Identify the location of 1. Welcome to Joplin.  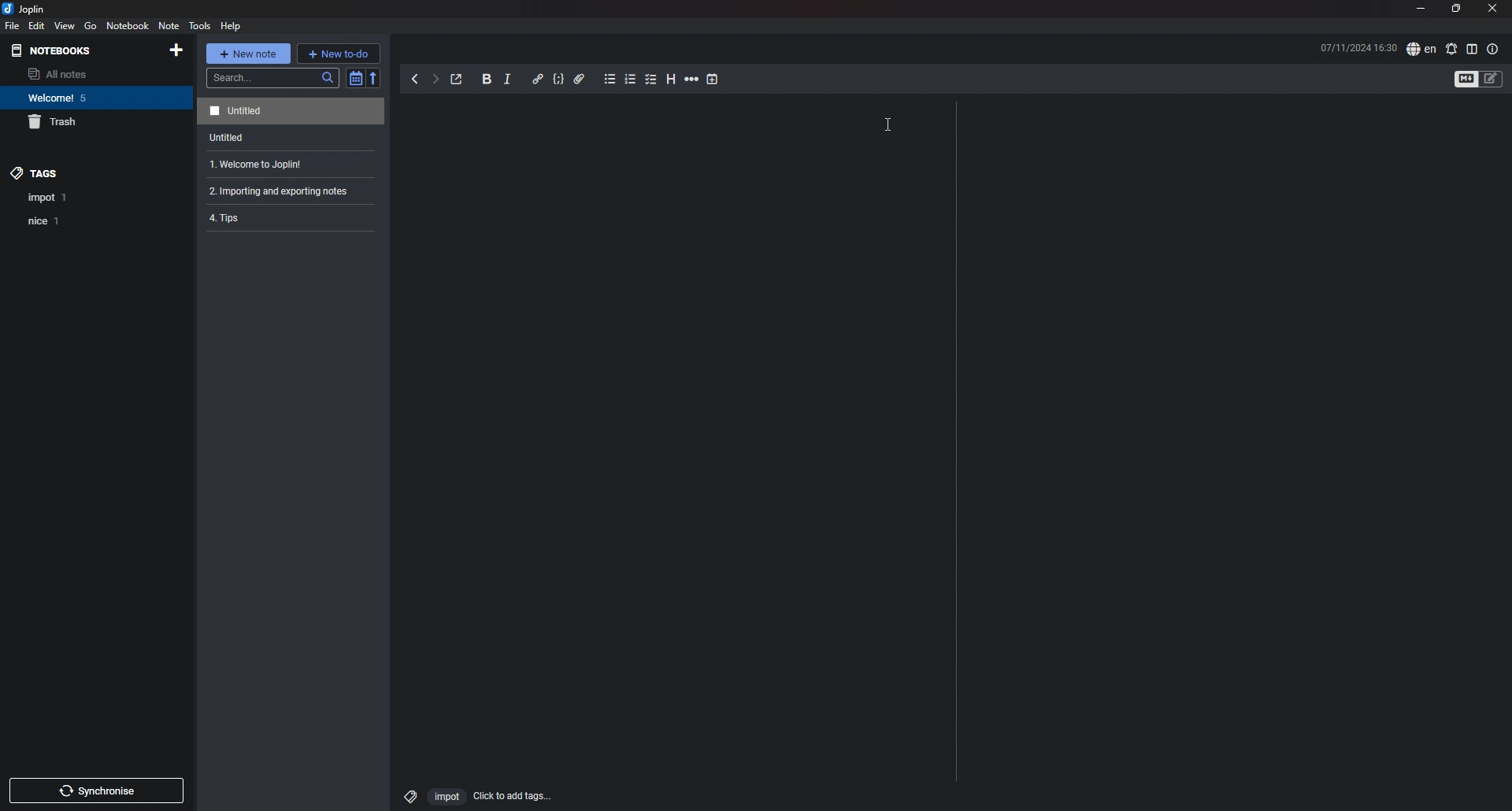
(250, 165).